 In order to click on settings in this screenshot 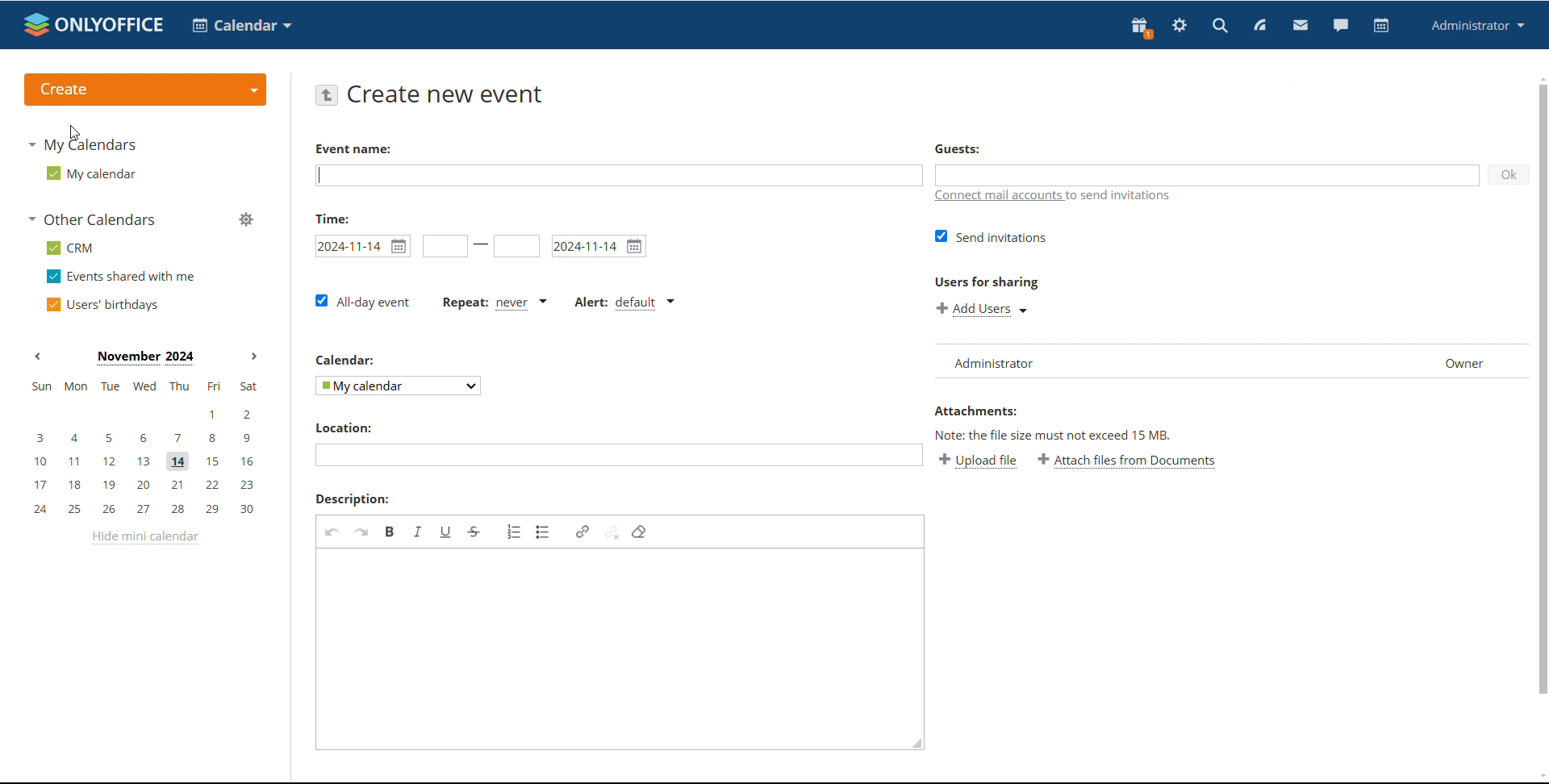, I will do `click(1179, 27)`.